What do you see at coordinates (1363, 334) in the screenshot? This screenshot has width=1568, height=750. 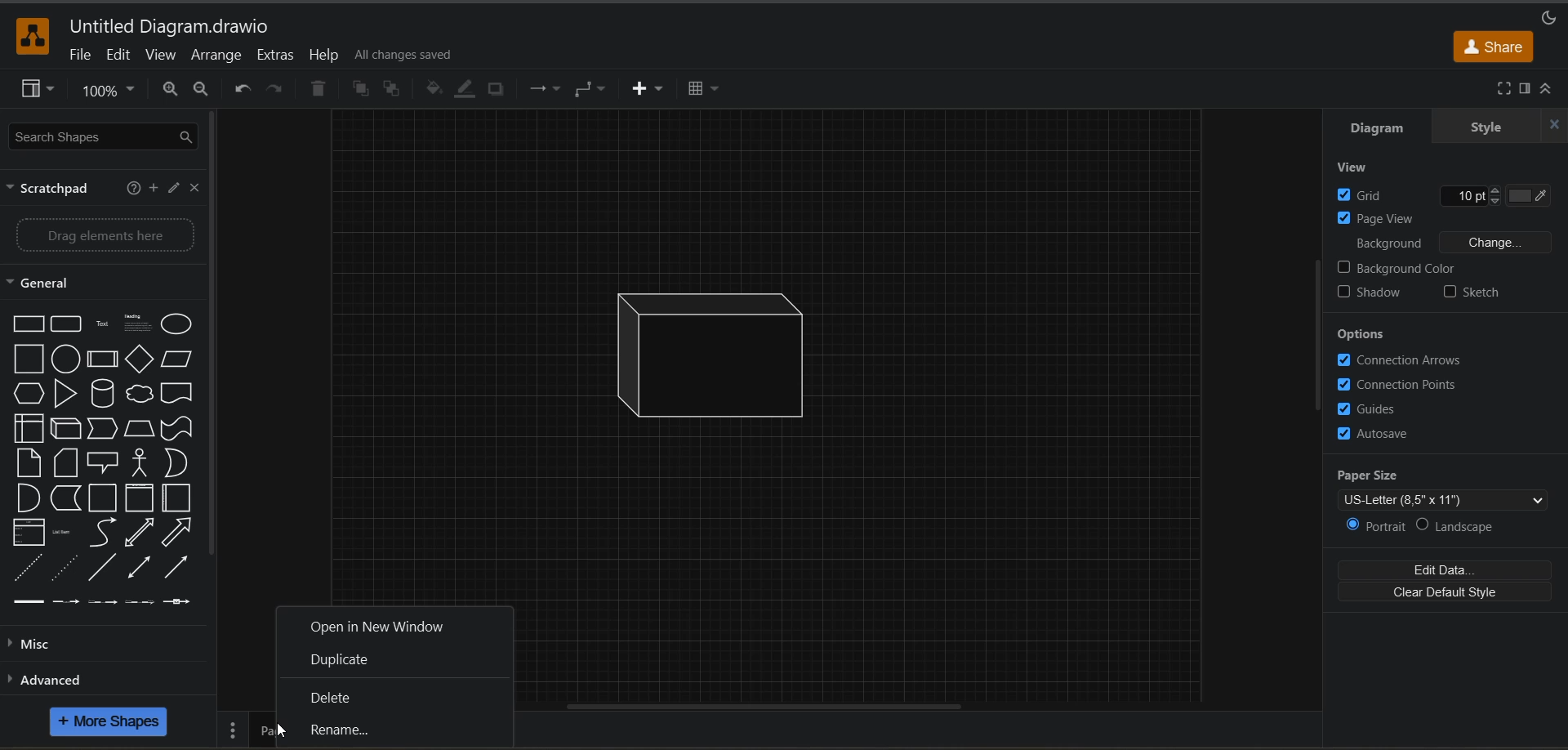 I see `options` at bounding box center [1363, 334].